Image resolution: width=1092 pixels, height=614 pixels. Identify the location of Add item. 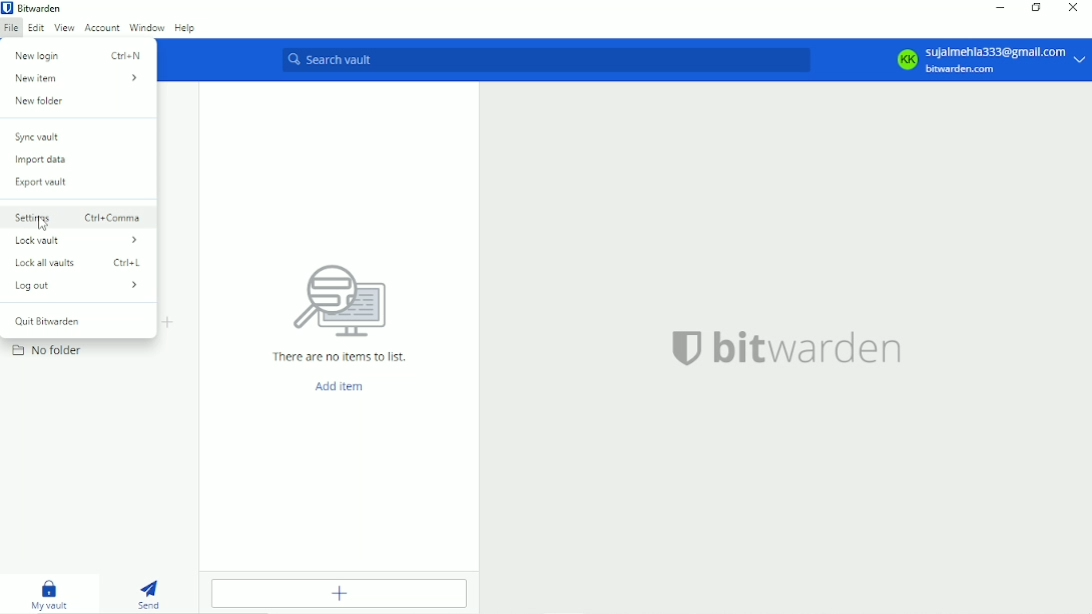
(339, 388).